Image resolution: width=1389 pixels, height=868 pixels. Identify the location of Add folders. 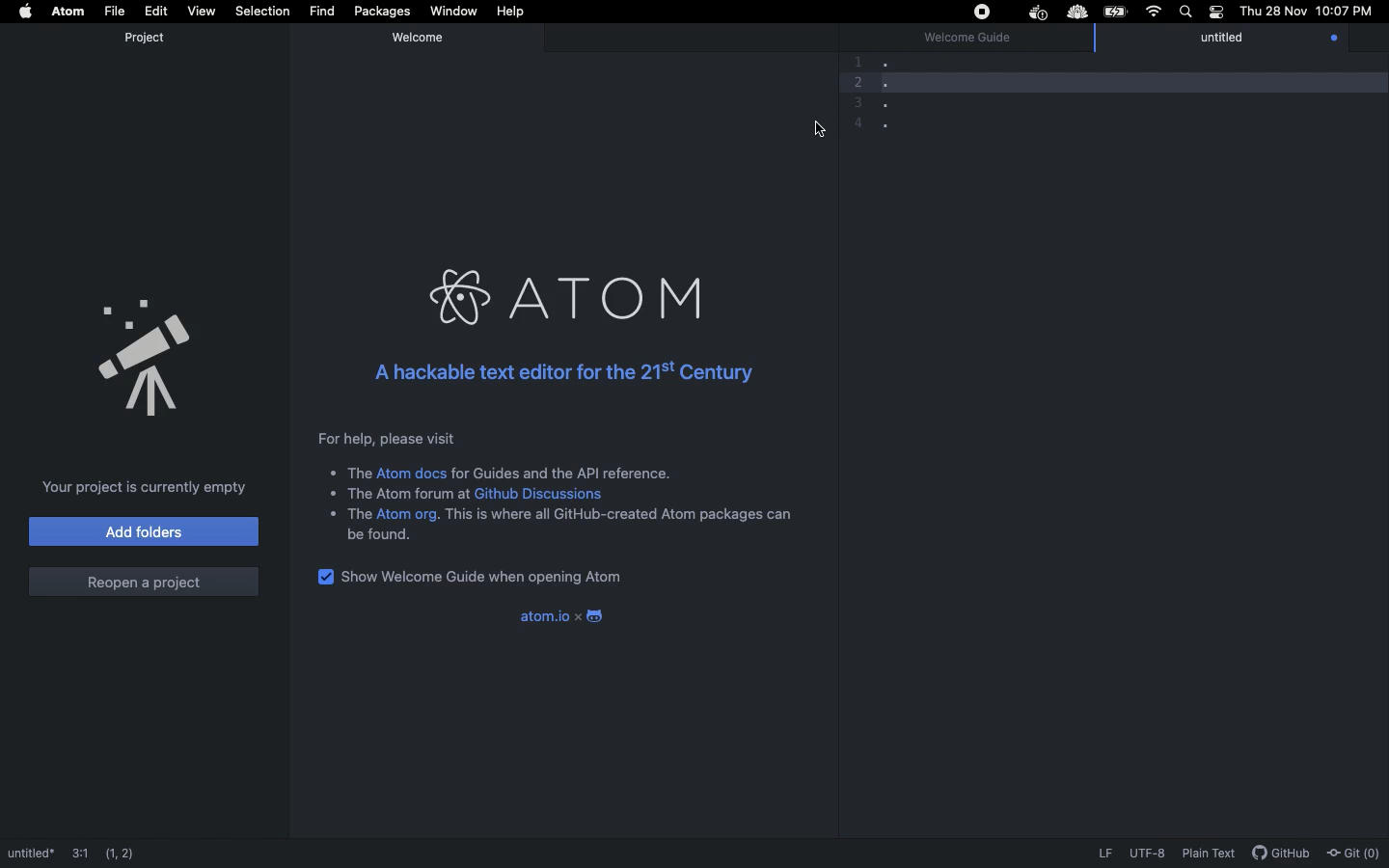
(143, 531).